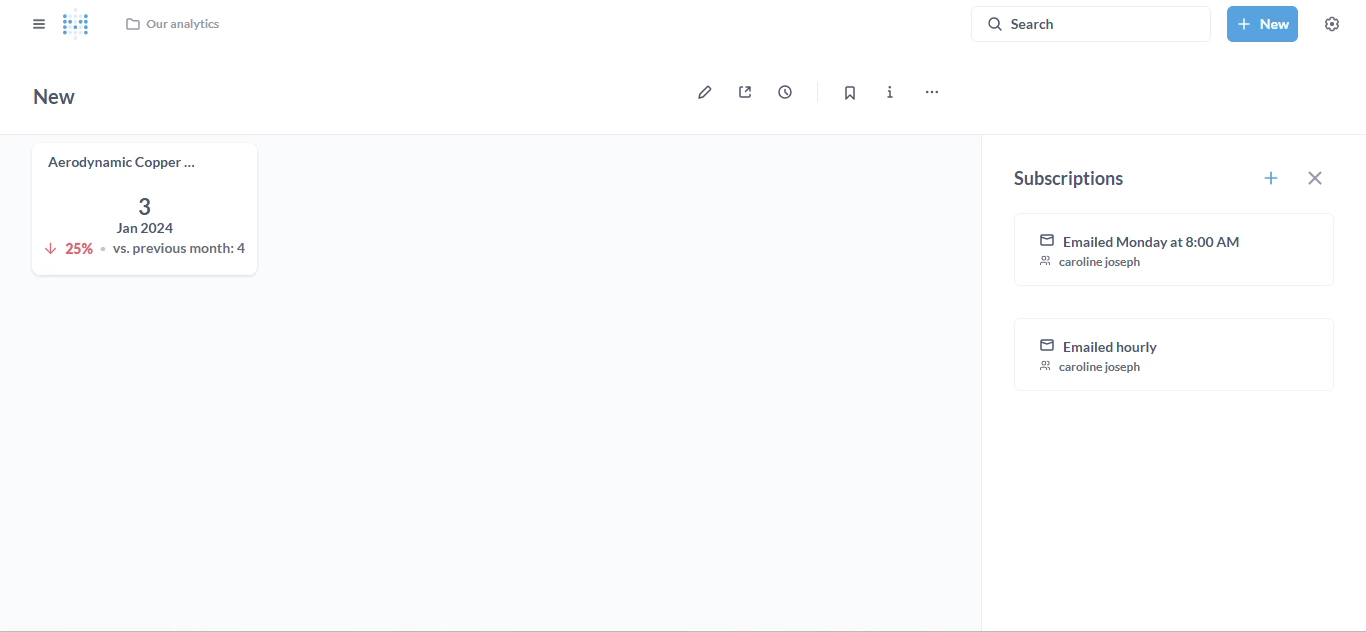 The width and height of the screenshot is (1366, 632). I want to click on sharing, so click(745, 92).